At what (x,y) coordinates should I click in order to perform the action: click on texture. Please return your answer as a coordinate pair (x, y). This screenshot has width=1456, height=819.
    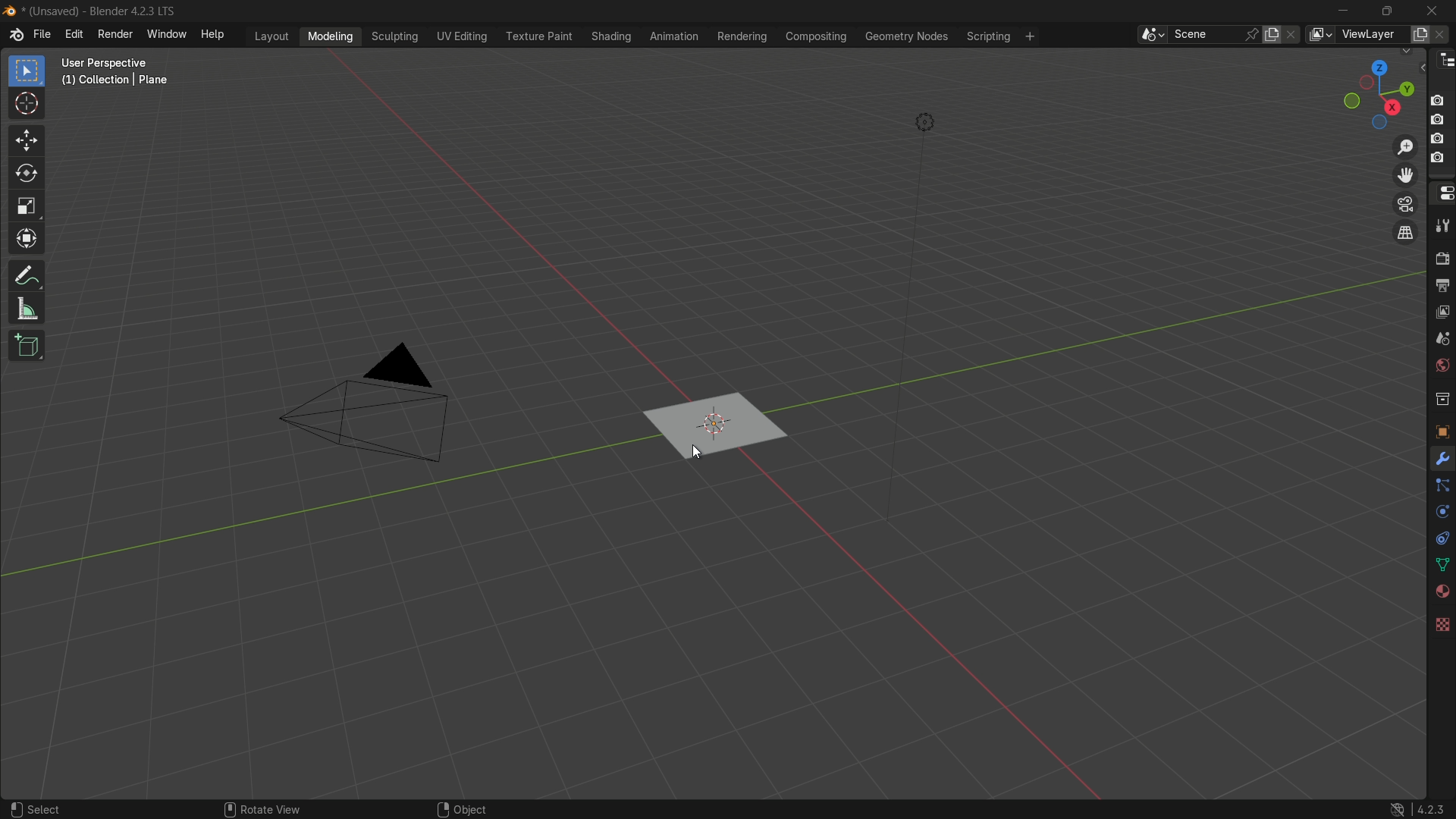
    Looking at the image, I should click on (1441, 623).